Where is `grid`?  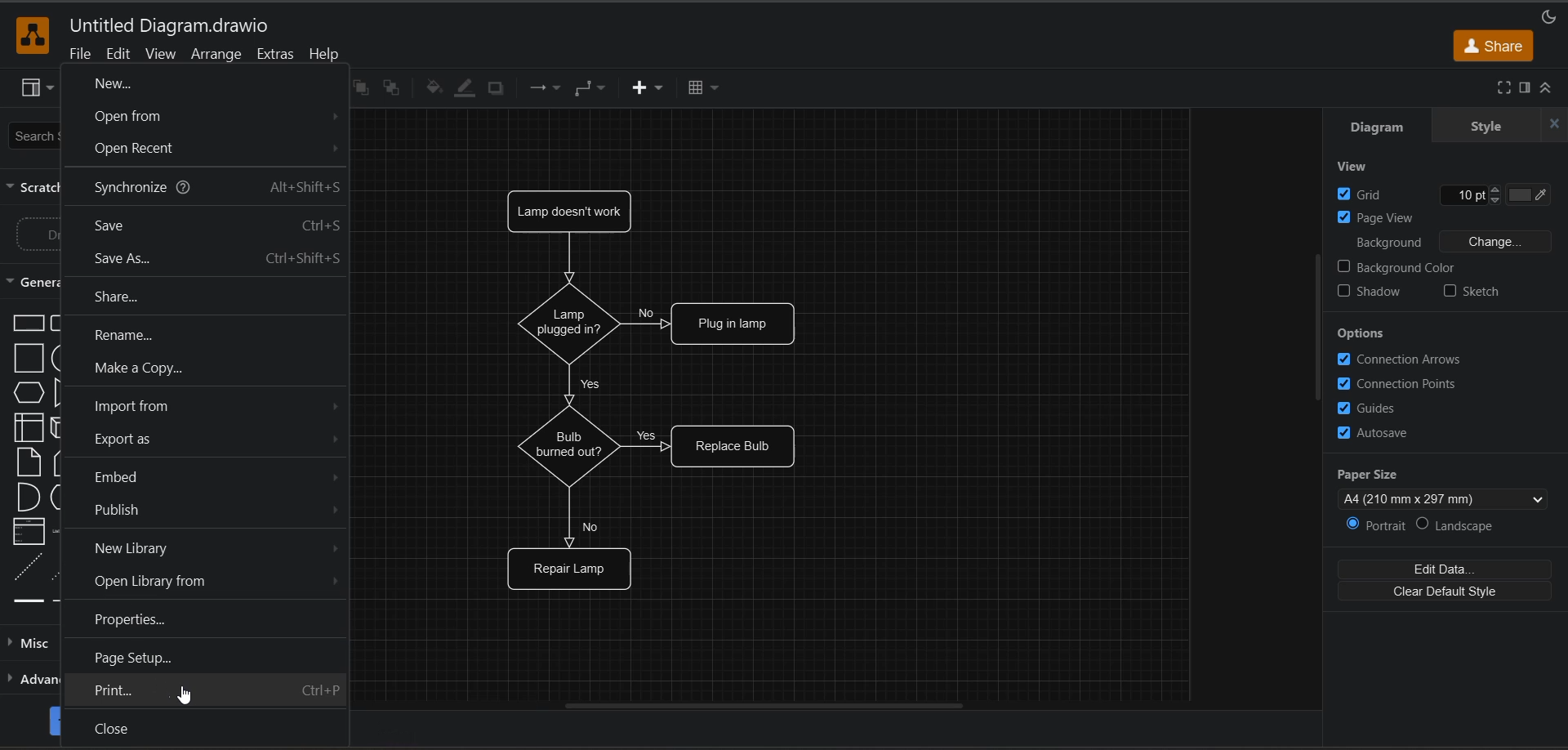 grid is located at coordinates (1443, 192).